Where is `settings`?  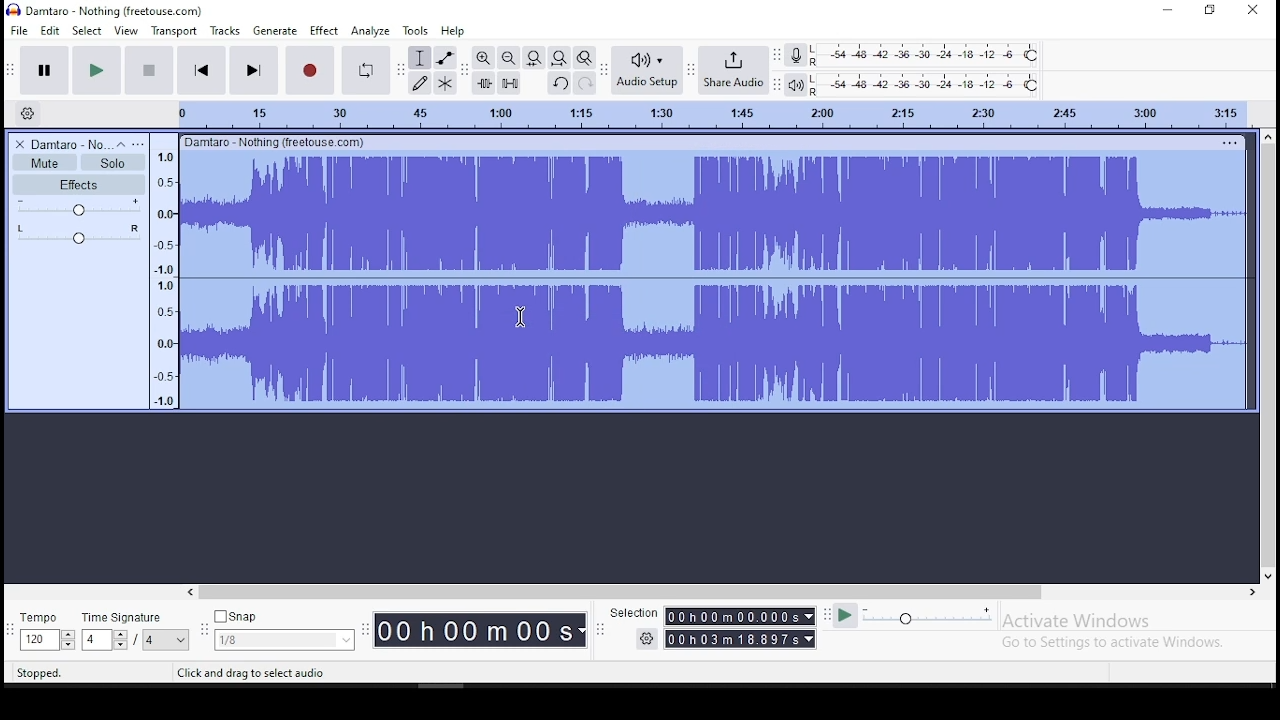 settings is located at coordinates (645, 639).